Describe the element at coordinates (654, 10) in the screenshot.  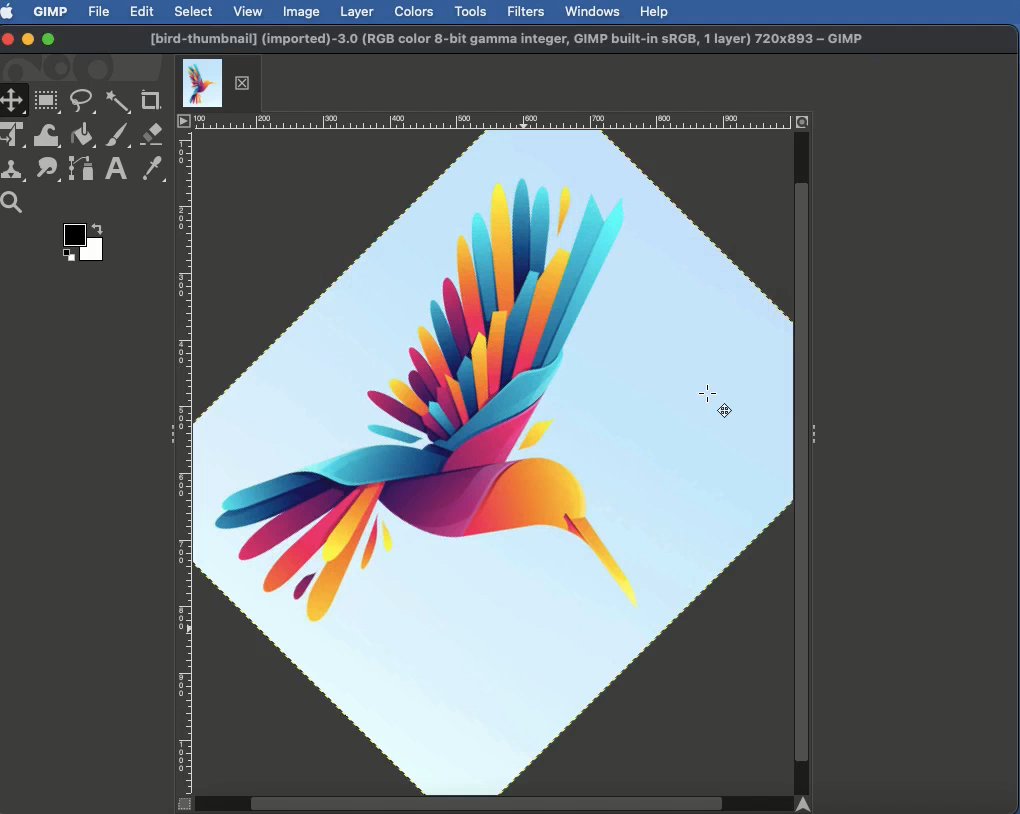
I see `Help` at that location.